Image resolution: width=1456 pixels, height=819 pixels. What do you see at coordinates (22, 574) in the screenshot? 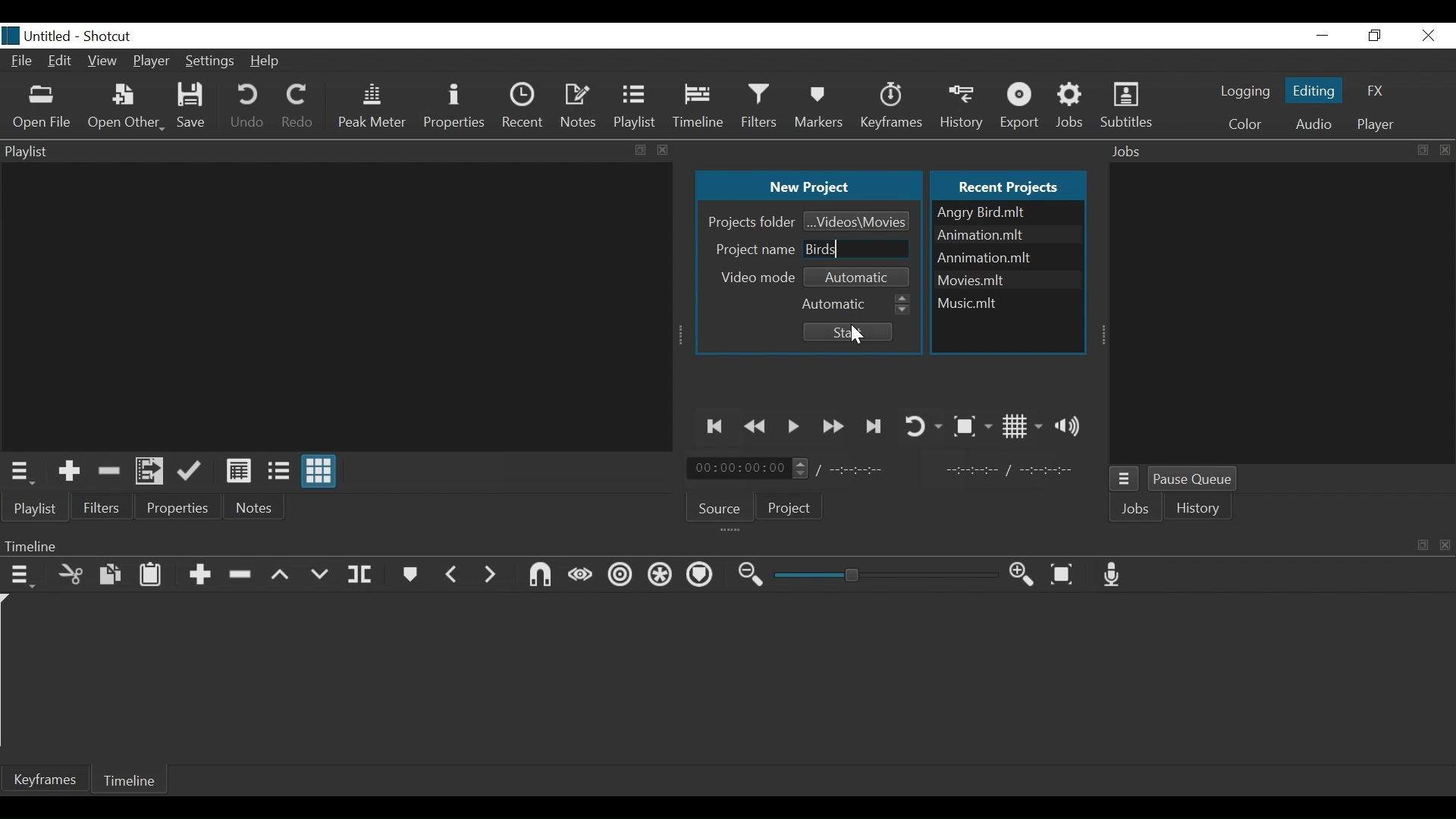
I see `Timeline Menu` at bounding box center [22, 574].